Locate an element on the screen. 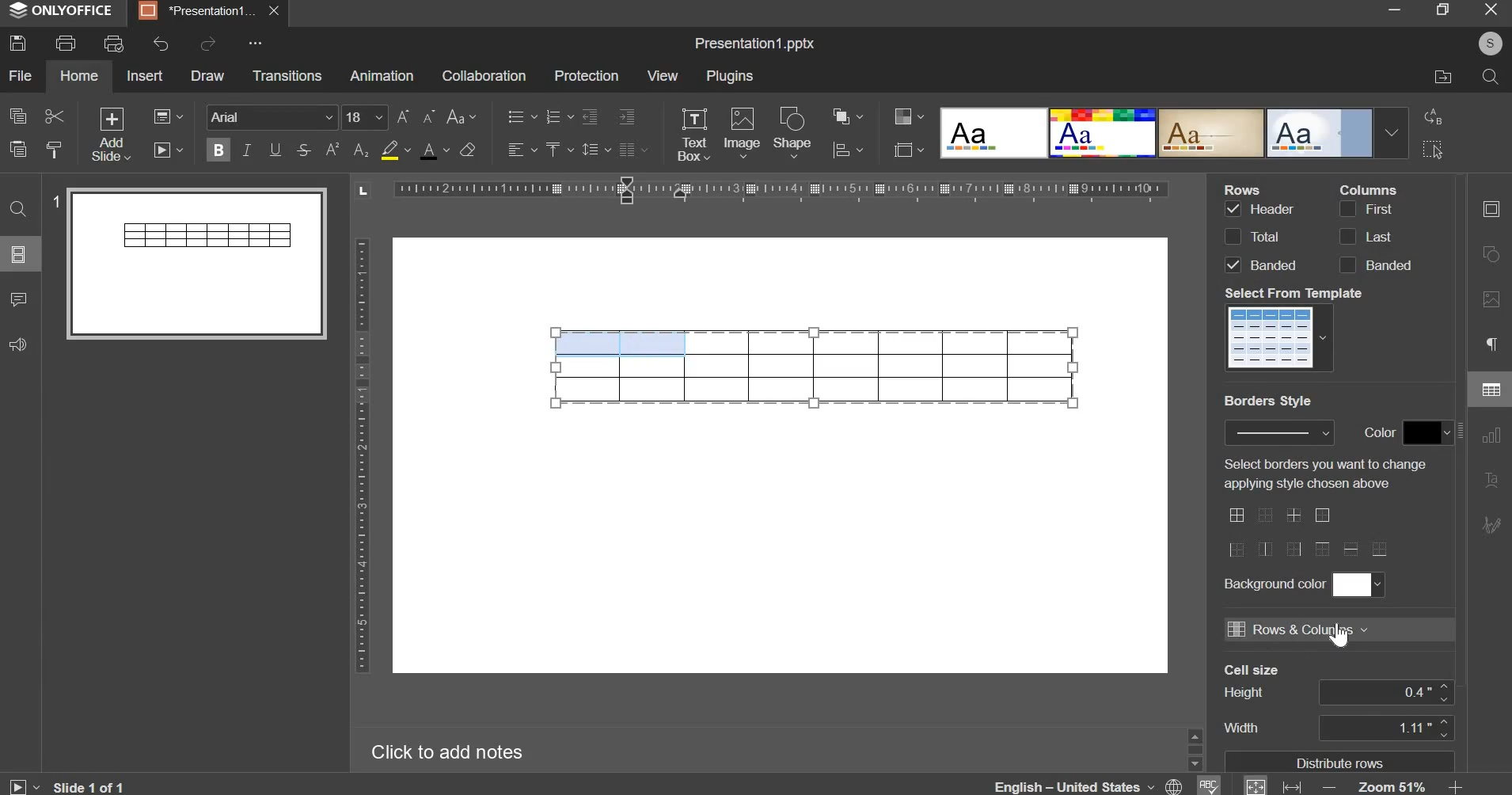 This screenshot has width=1512, height=795. animation is located at coordinates (381, 75).